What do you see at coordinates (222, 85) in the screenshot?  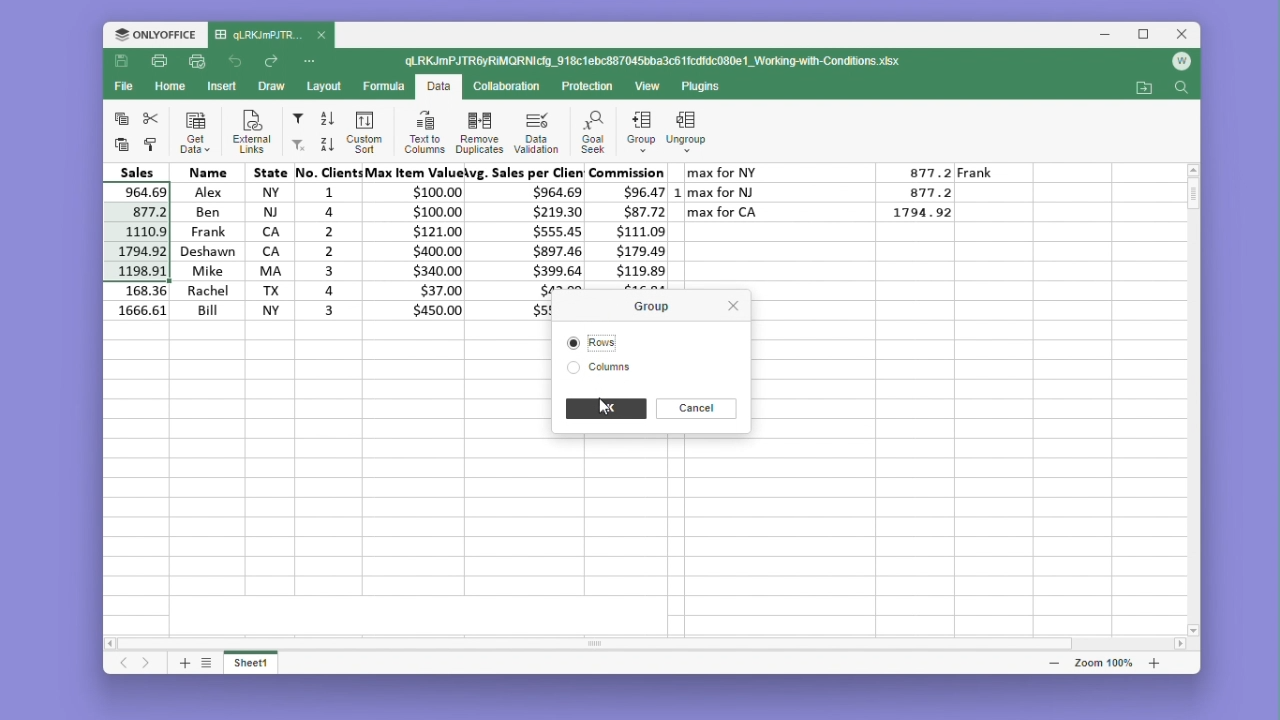 I see `Insert` at bounding box center [222, 85].